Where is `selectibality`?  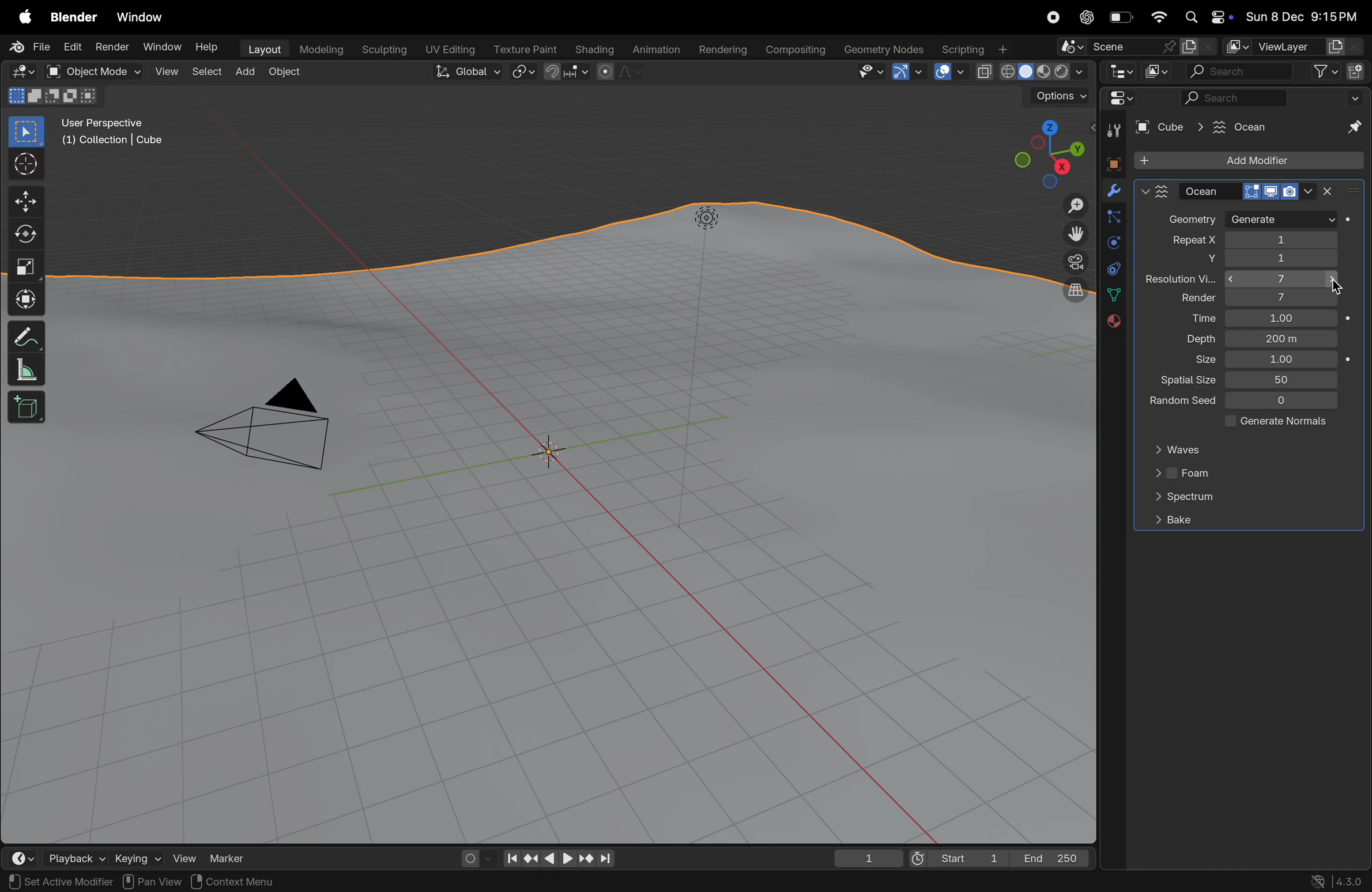 selectibality is located at coordinates (867, 71).